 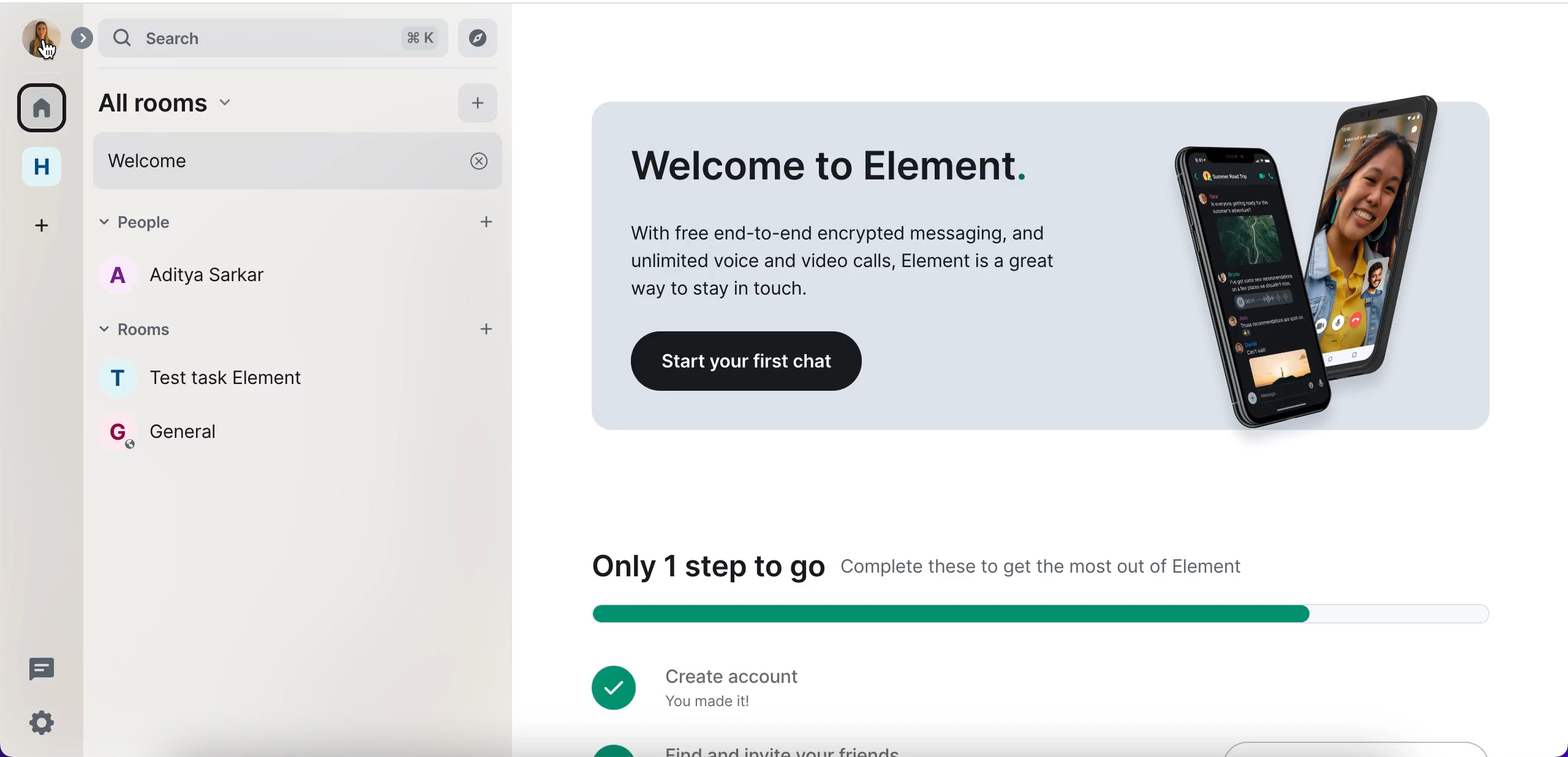 I want to click on start your first chat, so click(x=752, y=362).